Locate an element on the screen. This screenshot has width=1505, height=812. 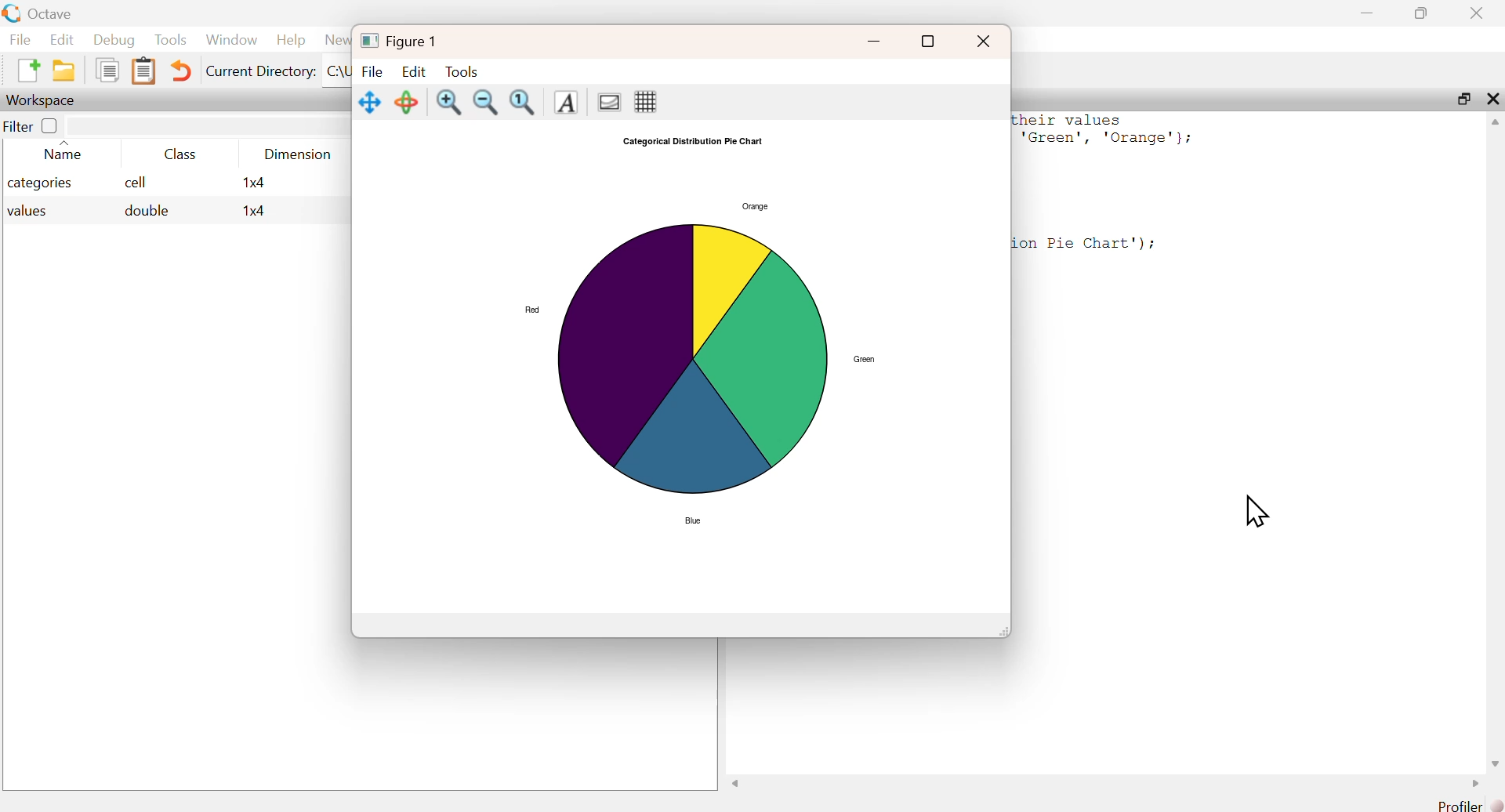
close is located at coordinates (985, 42).